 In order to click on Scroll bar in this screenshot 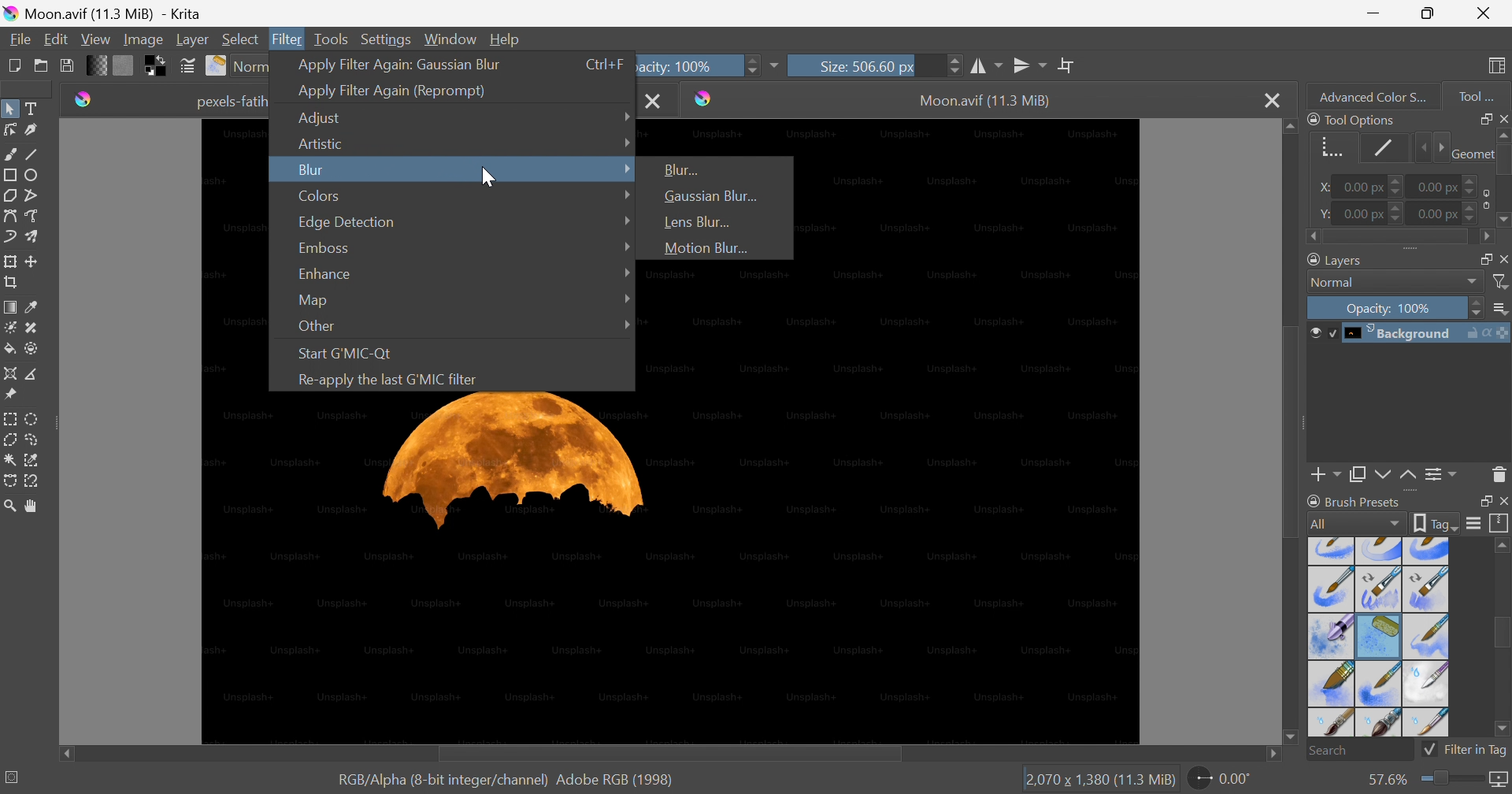, I will do `click(1293, 431)`.